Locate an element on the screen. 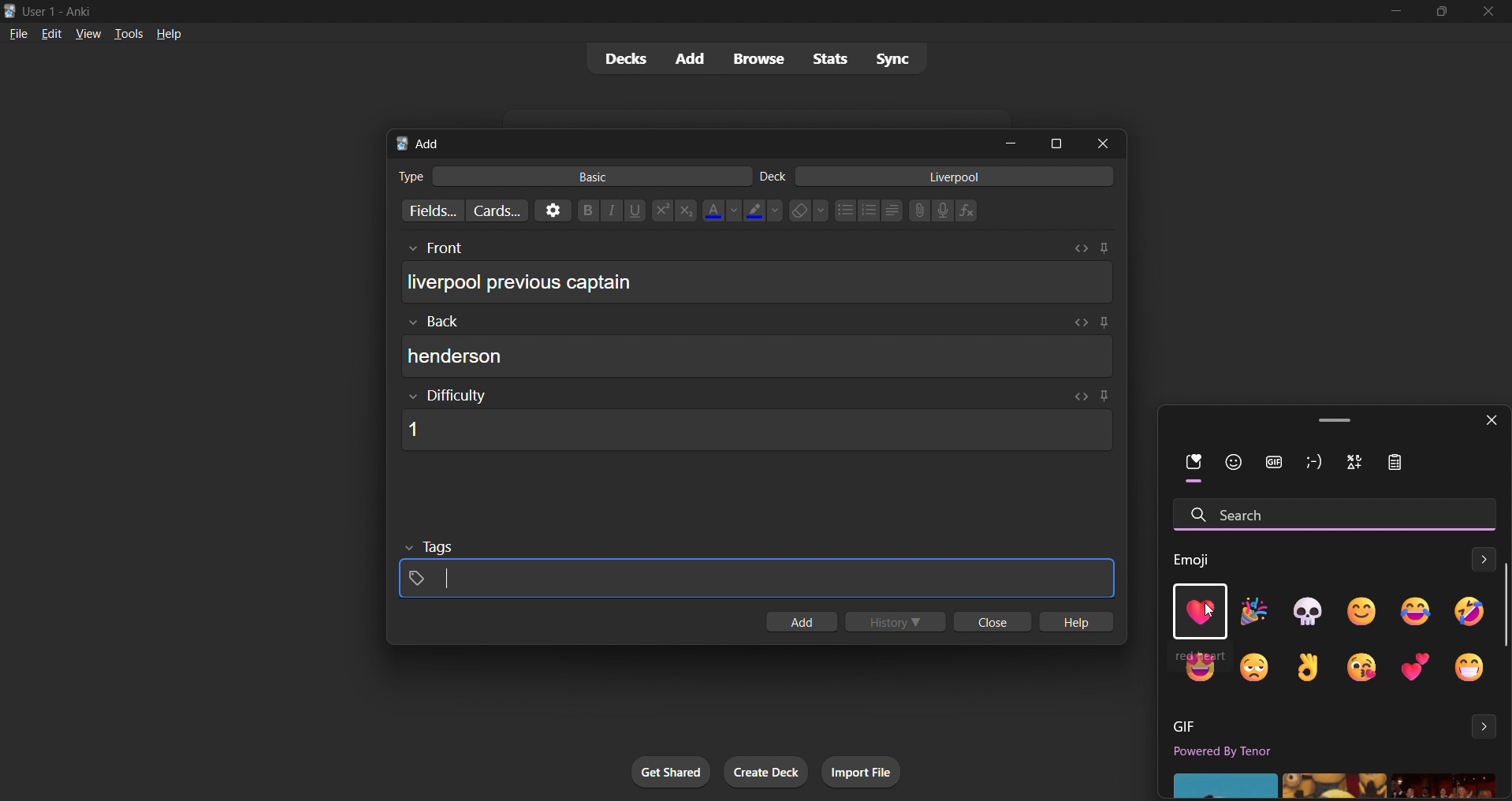 The width and height of the screenshot is (1512, 801). stats is located at coordinates (833, 58).